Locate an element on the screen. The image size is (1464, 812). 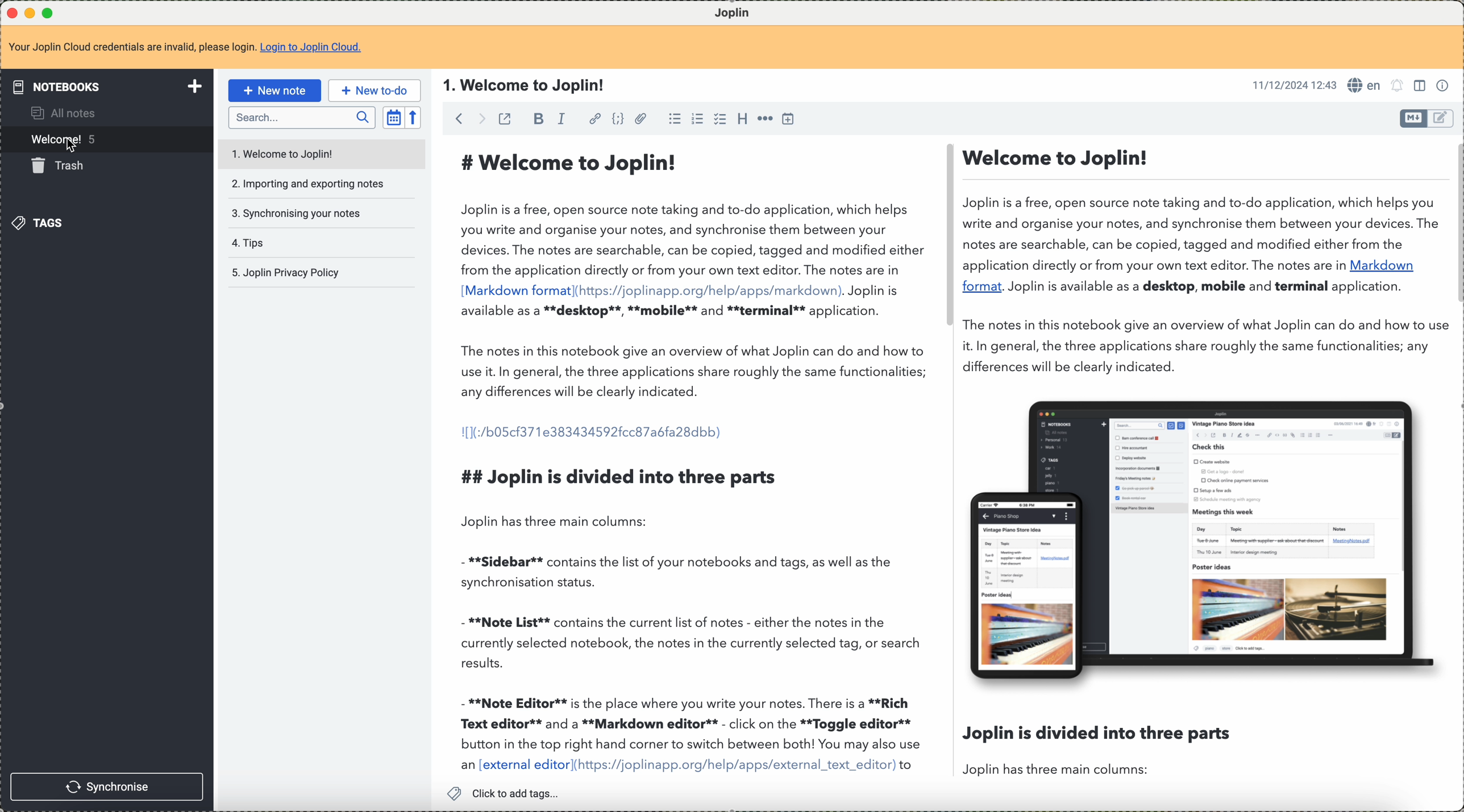
trash is located at coordinates (64, 168).